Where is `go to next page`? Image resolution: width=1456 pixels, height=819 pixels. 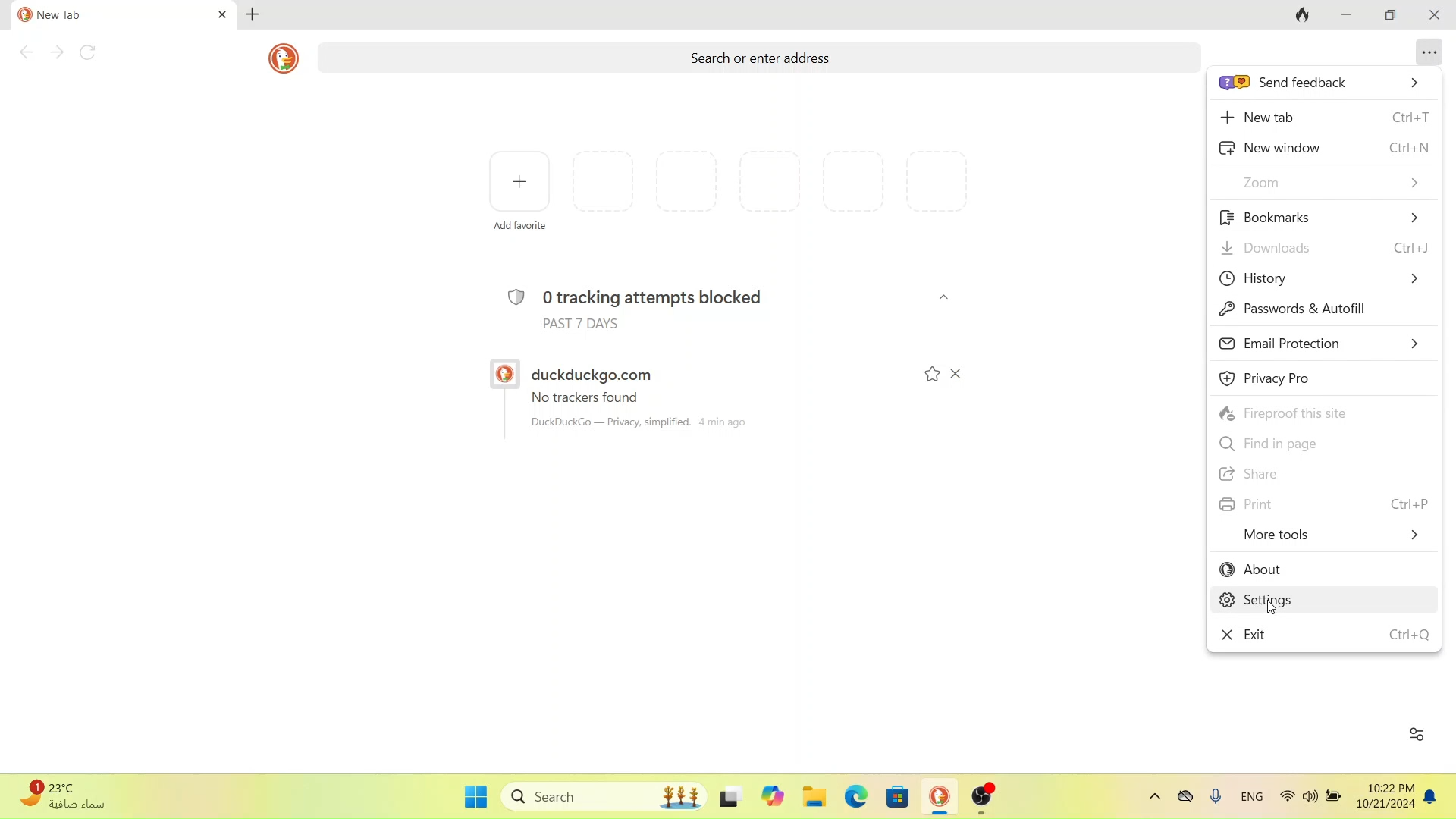 go to next page is located at coordinates (55, 55).